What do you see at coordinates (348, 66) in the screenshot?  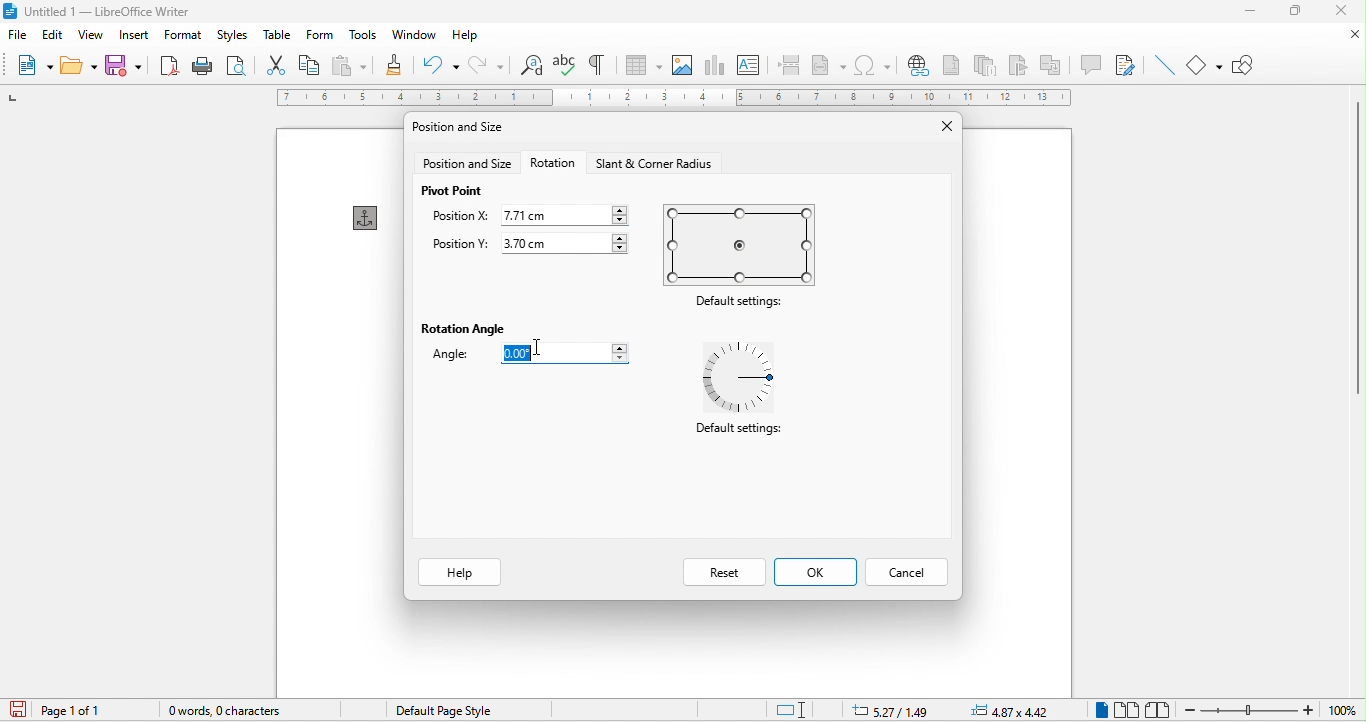 I see `paste` at bounding box center [348, 66].